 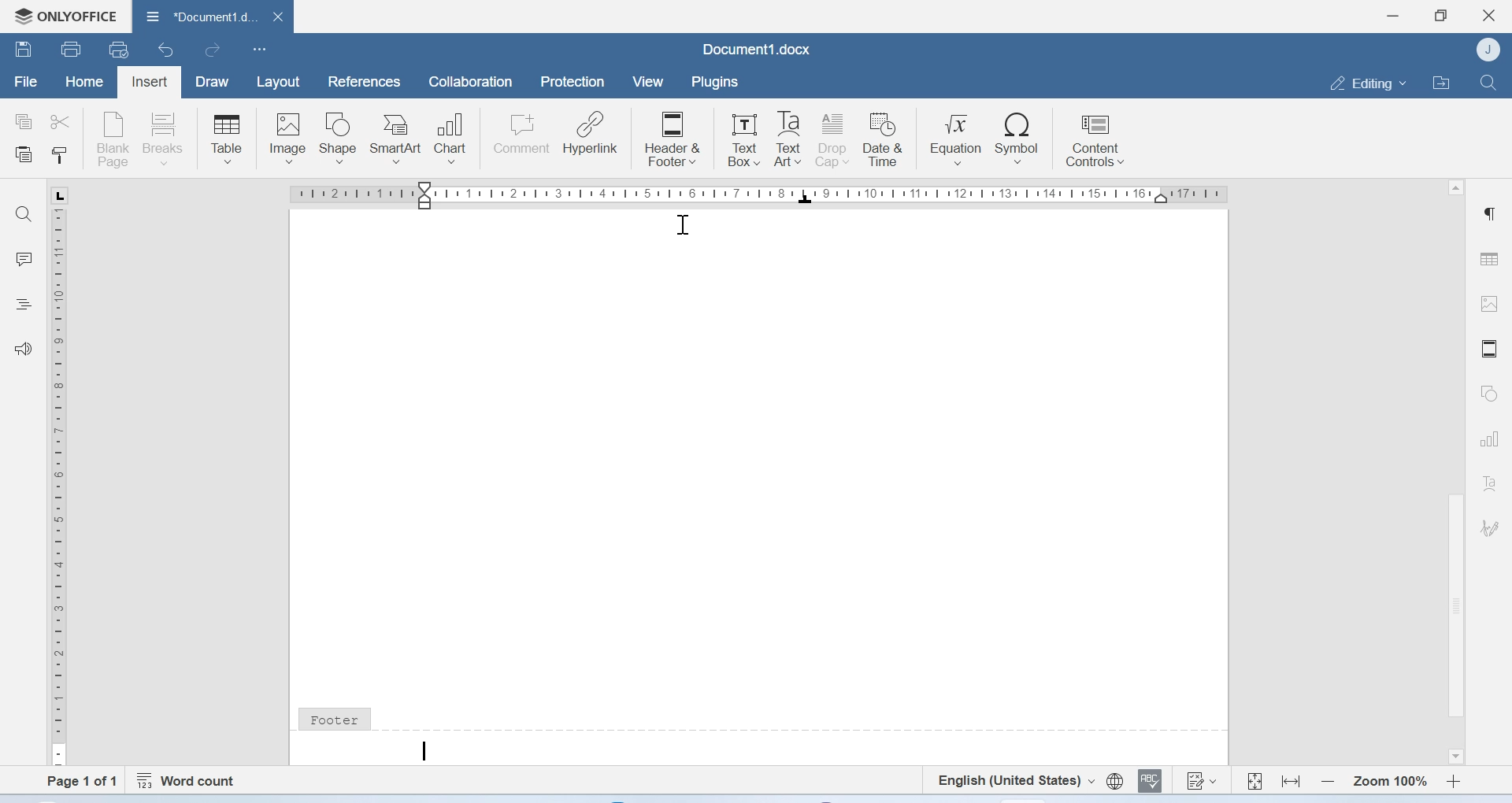 I want to click on Insert, so click(x=150, y=80).